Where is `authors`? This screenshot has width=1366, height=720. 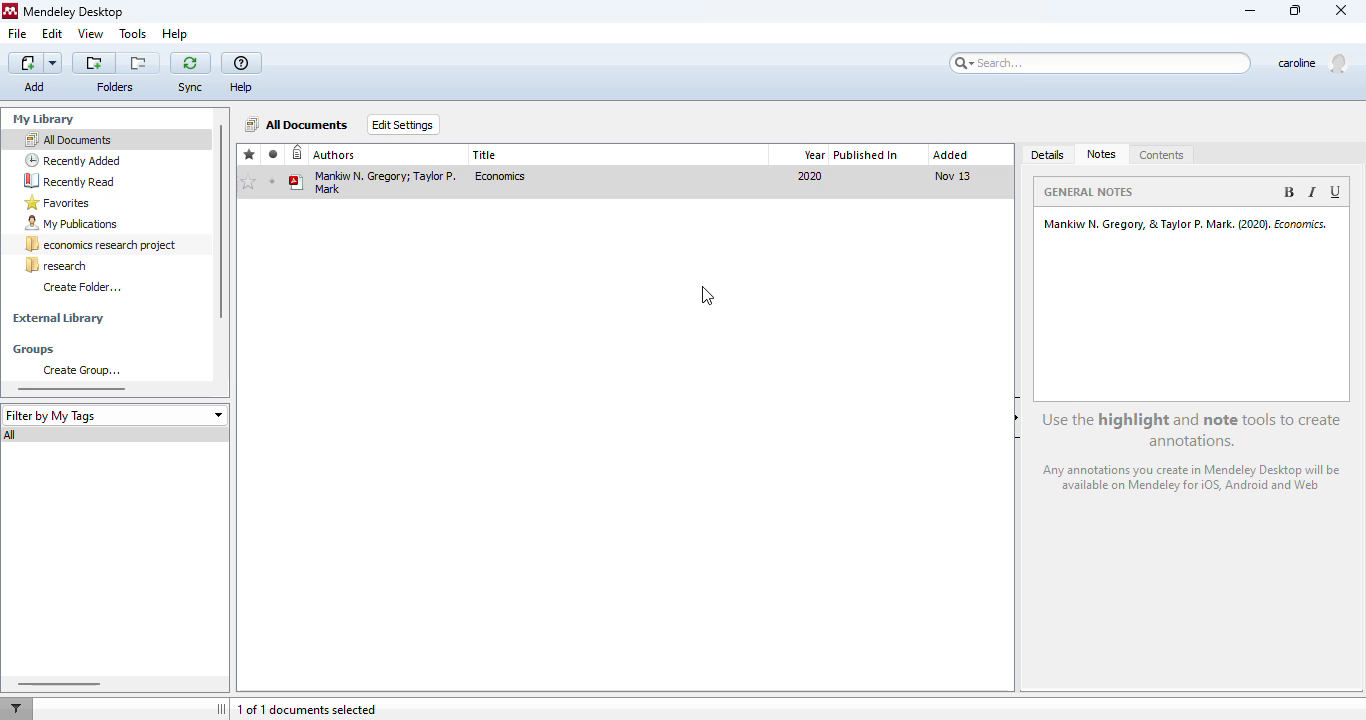
authors is located at coordinates (335, 155).